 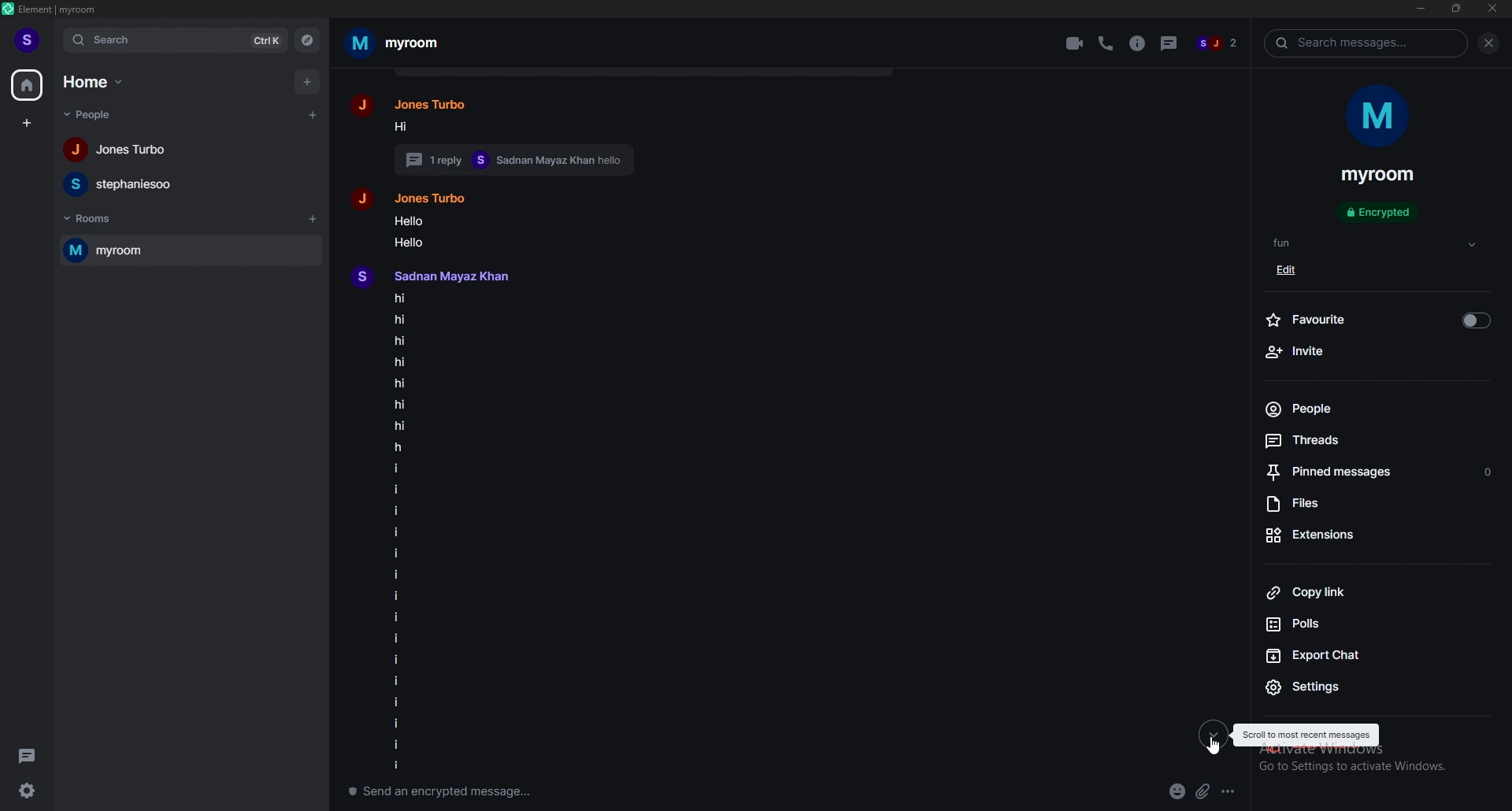 What do you see at coordinates (185, 151) in the screenshot?
I see `Jones Turbo` at bounding box center [185, 151].